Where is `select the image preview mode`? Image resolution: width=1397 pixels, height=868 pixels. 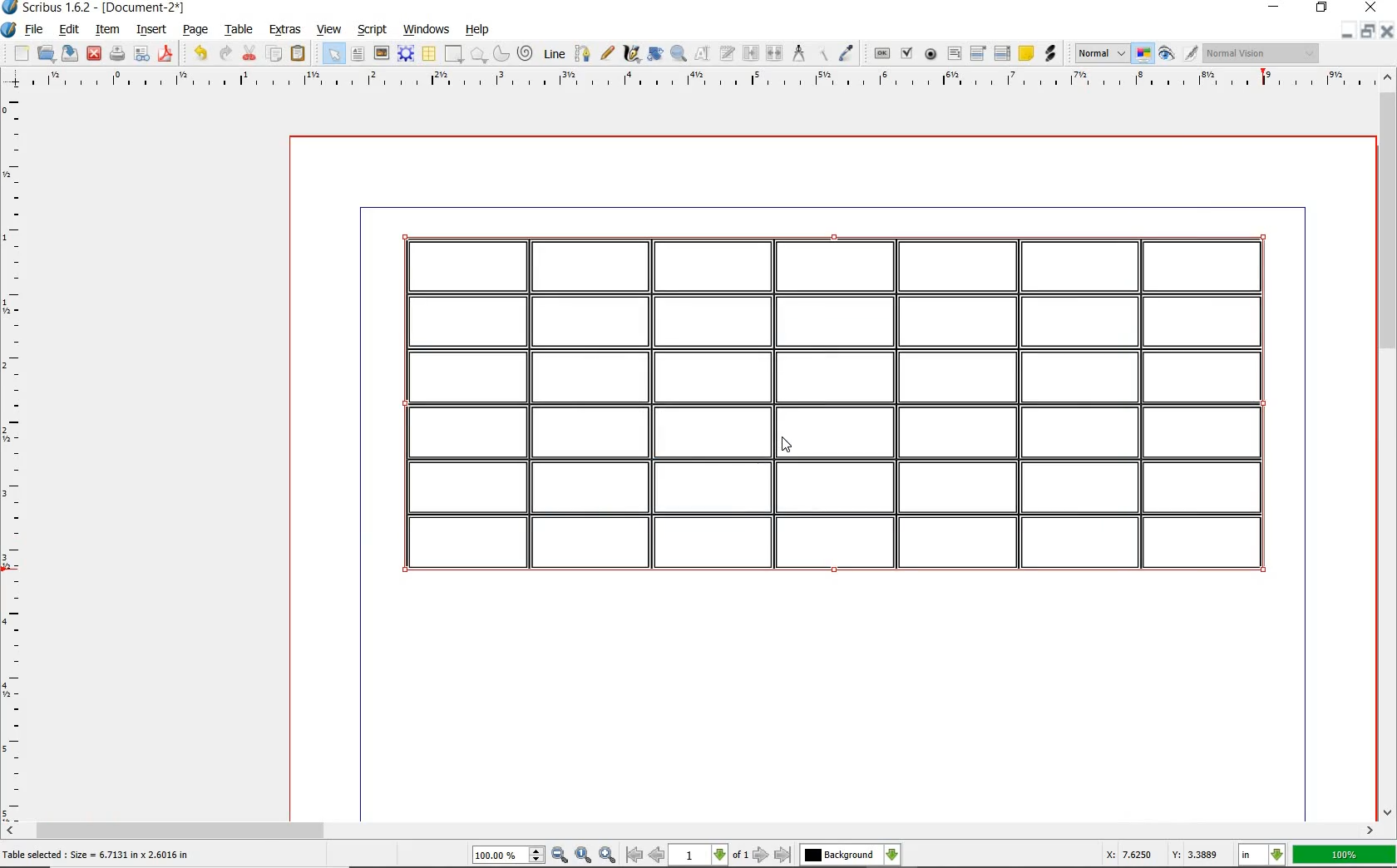 select the image preview mode is located at coordinates (1098, 53).